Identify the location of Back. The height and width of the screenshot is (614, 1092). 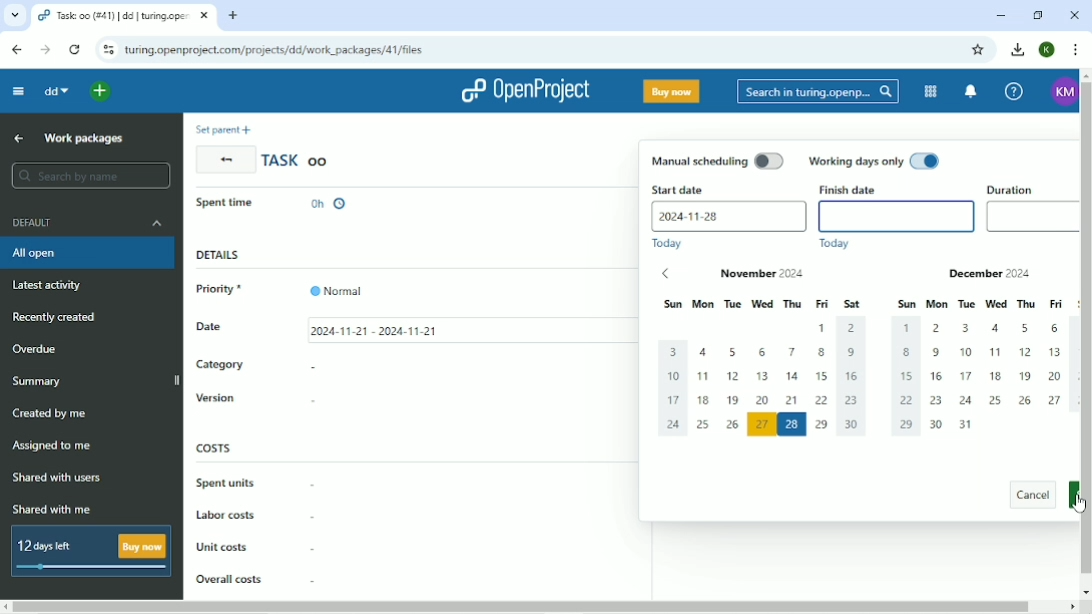
(18, 50).